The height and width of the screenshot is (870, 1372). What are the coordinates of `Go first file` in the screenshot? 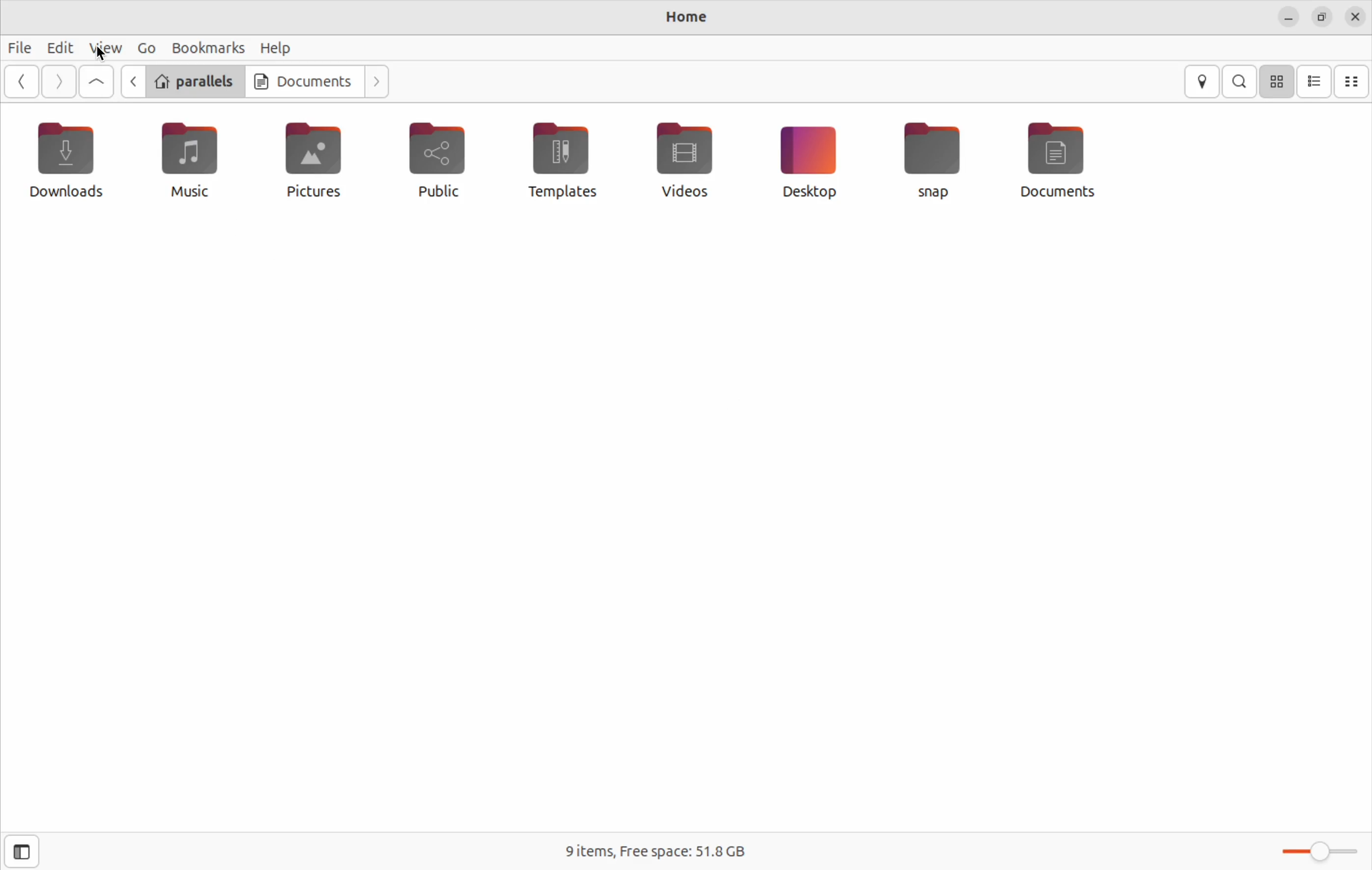 It's located at (96, 82).